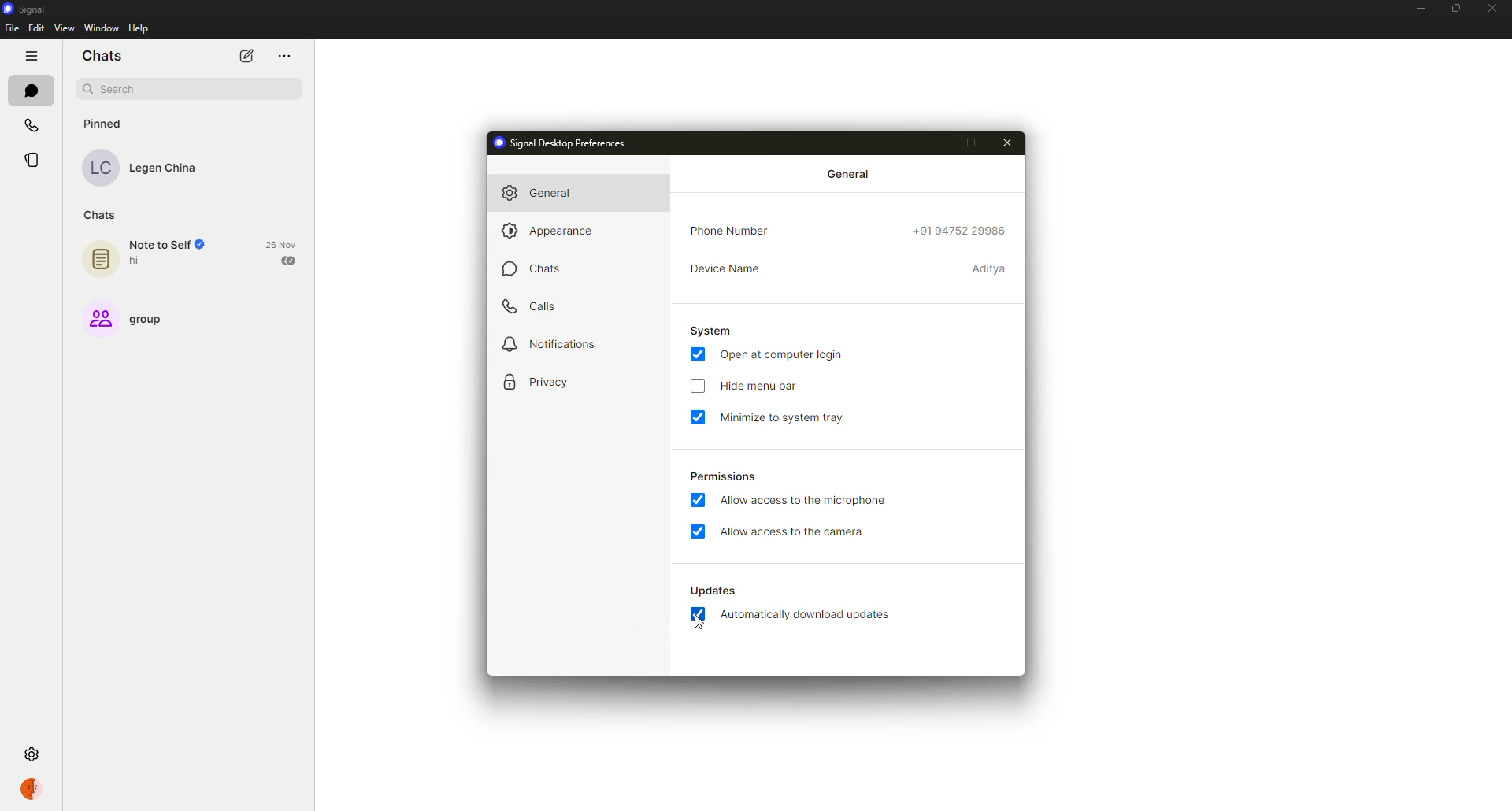  Describe the element at coordinates (700, 620) in the screenshot. I see `cursor` at that location.